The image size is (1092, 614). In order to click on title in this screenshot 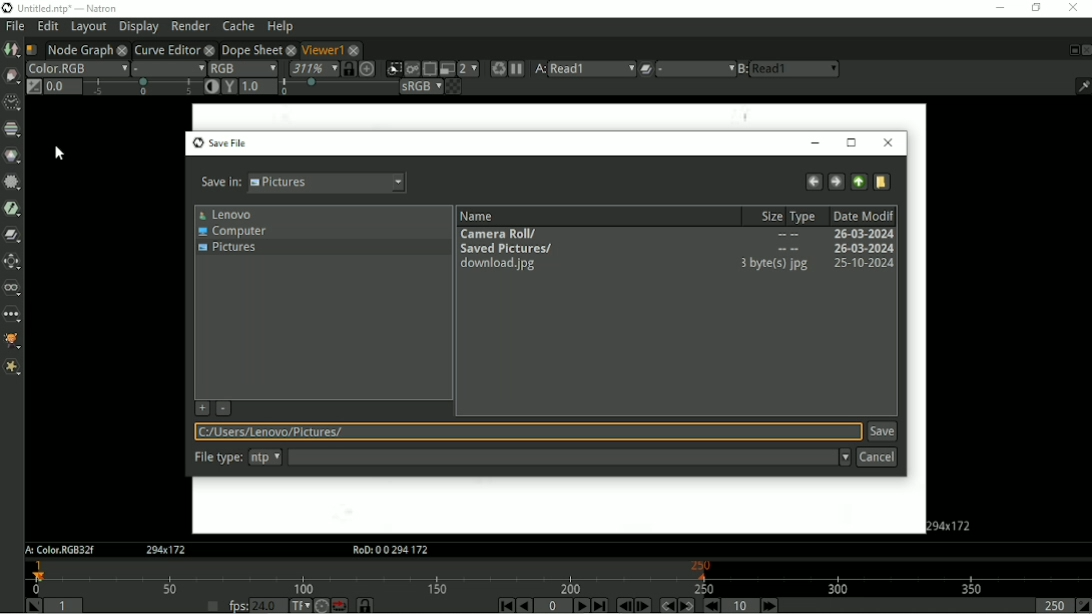, I will do `click(68, 8)`.